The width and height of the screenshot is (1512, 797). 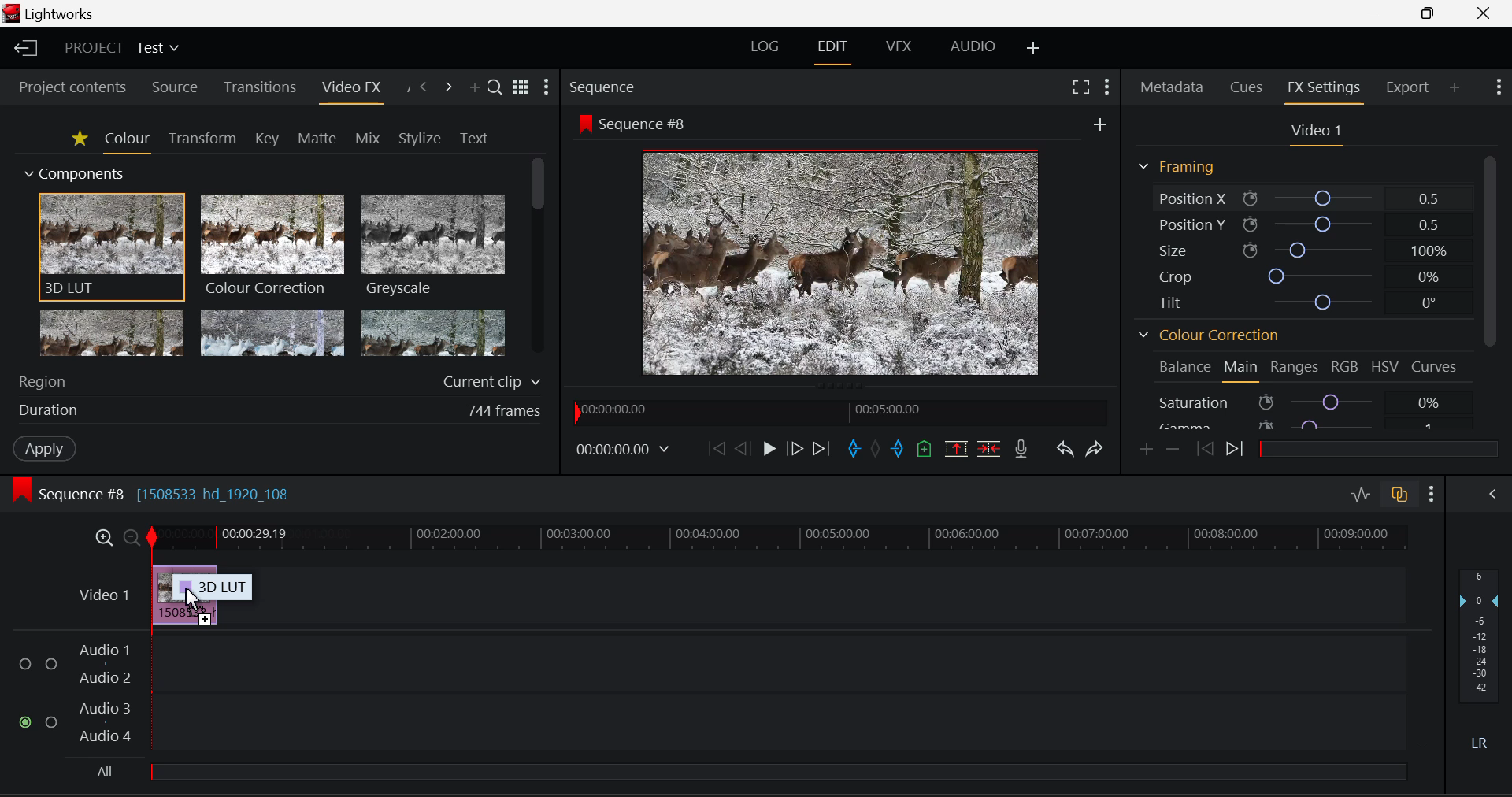 I want to click on Curves, so click(x=1433, y=367).